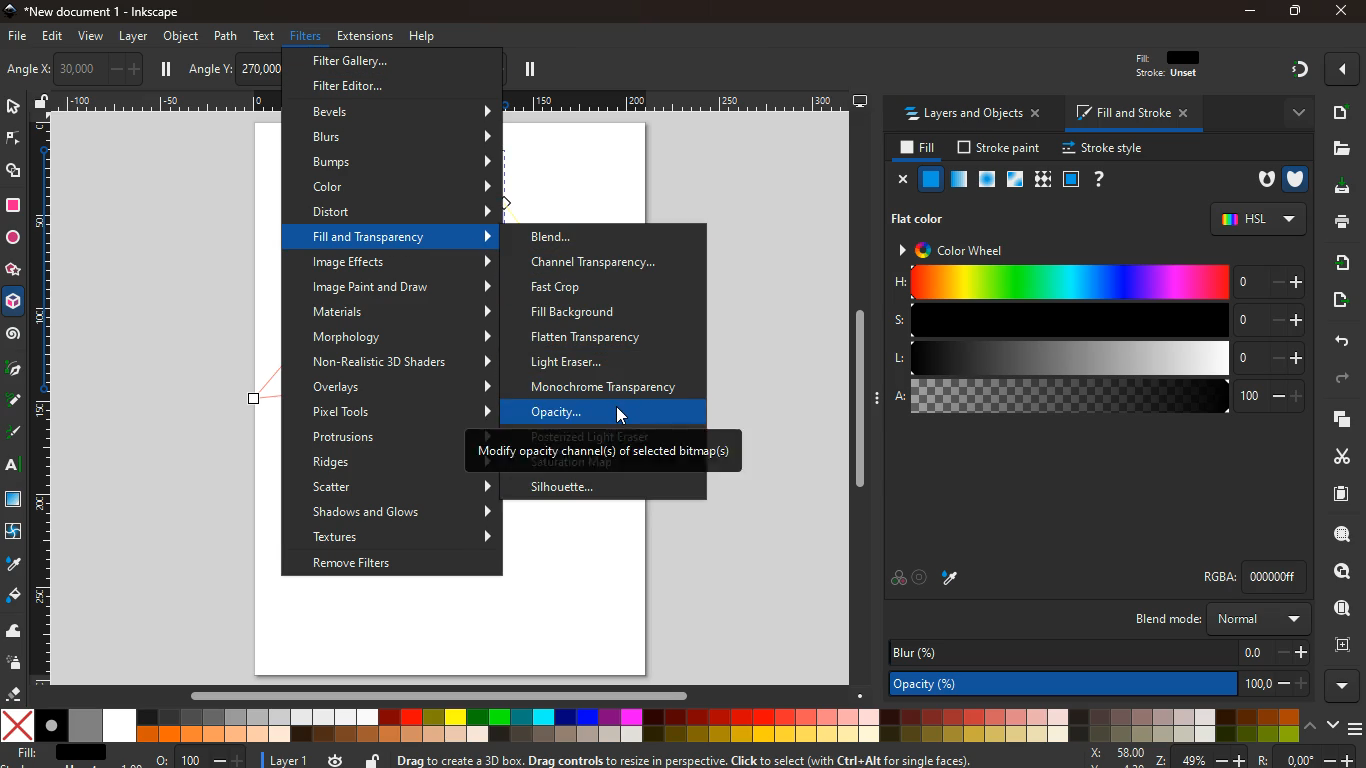 This screenshot has width=1366, height=768. I want to click on materials, so click(403, 312).